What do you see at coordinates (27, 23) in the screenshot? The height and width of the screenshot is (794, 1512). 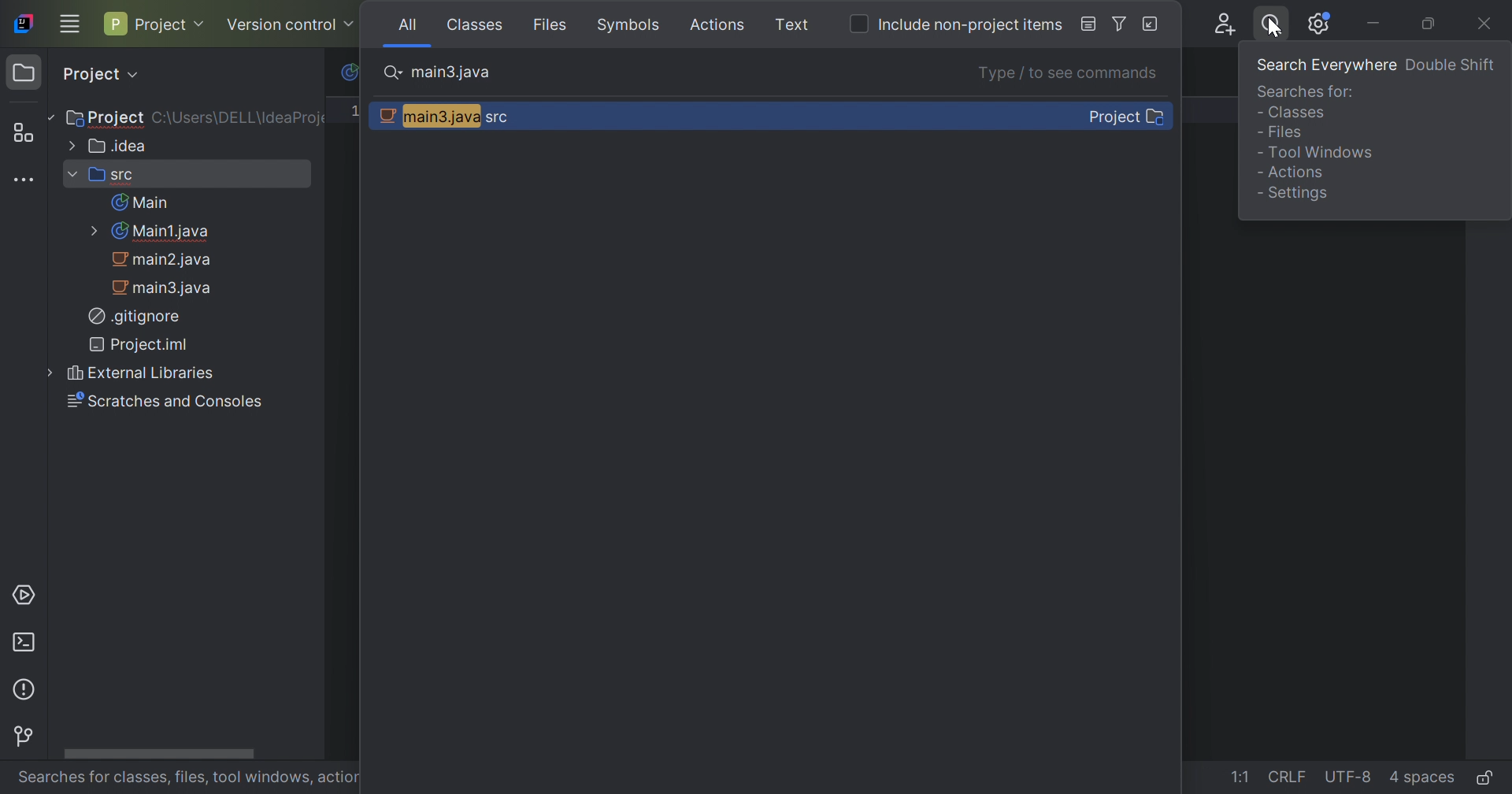 I see `IntelliJ IDEA icon` at bounding box center [27, 23].